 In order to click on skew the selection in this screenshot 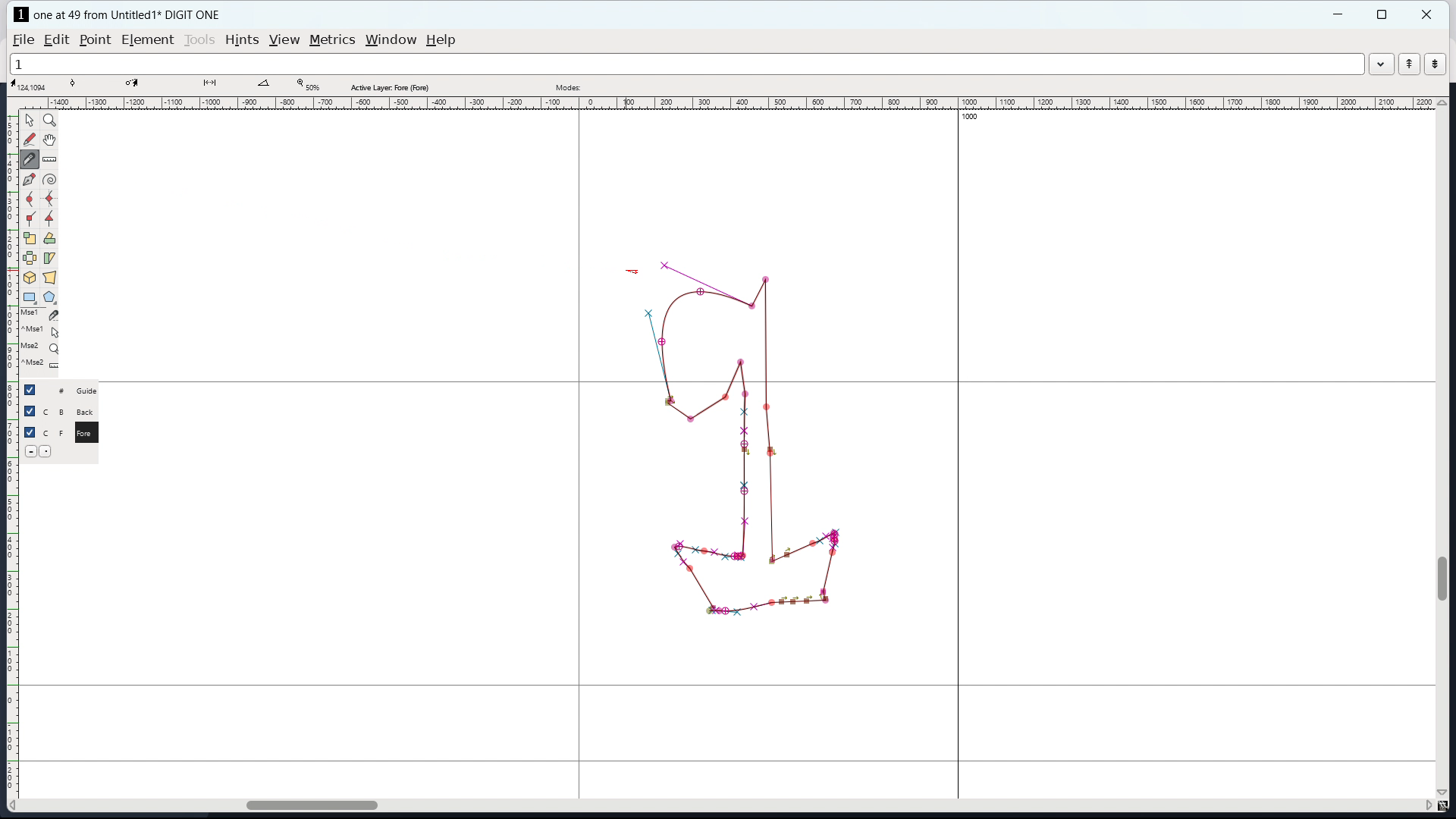, I will do `click(50, 258)`.